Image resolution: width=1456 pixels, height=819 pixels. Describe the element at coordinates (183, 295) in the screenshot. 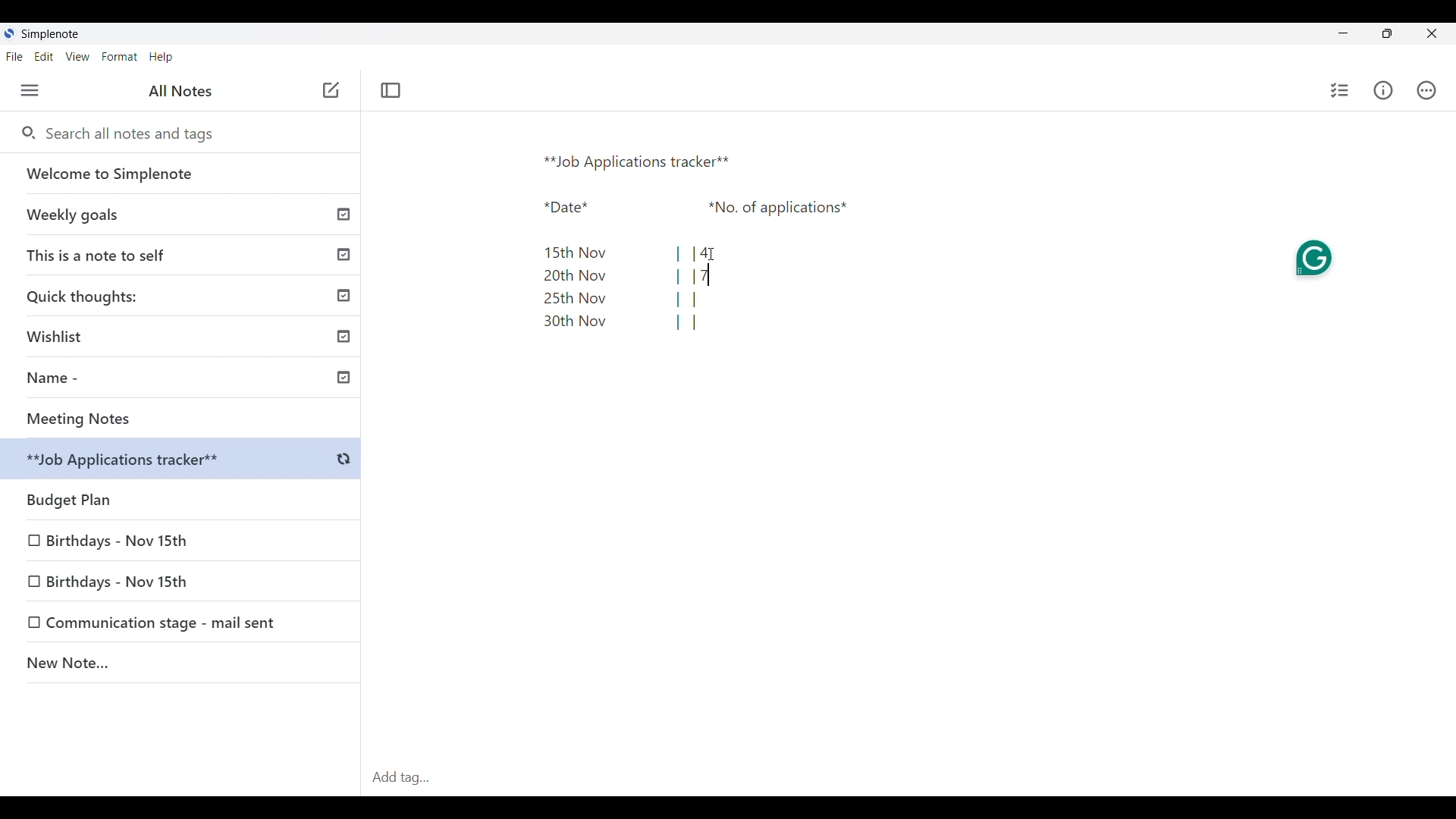

I see `Quick thoughts` at that location.